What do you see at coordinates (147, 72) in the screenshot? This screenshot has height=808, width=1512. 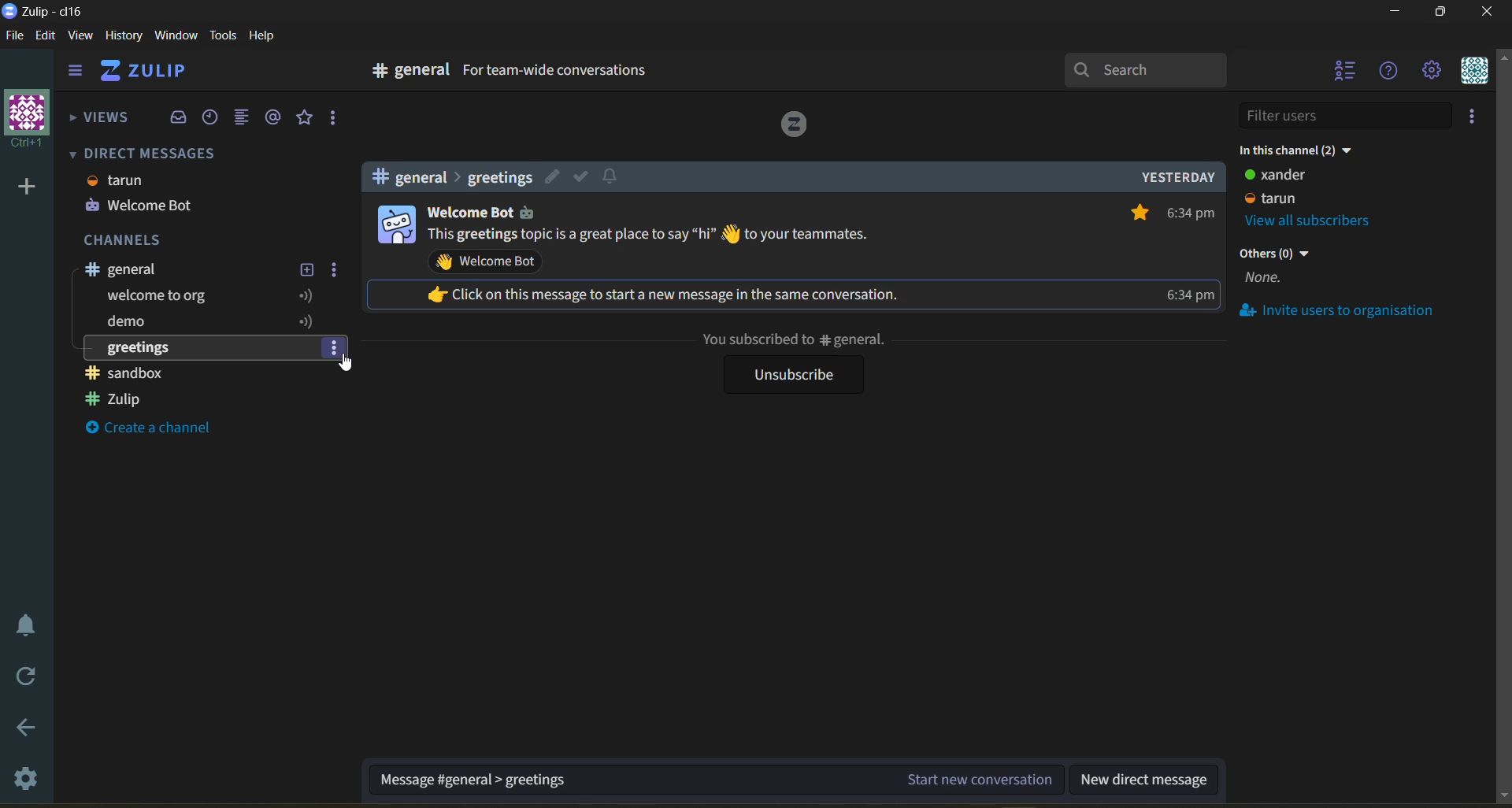 I see `home view` at bounding box center [147, 72].